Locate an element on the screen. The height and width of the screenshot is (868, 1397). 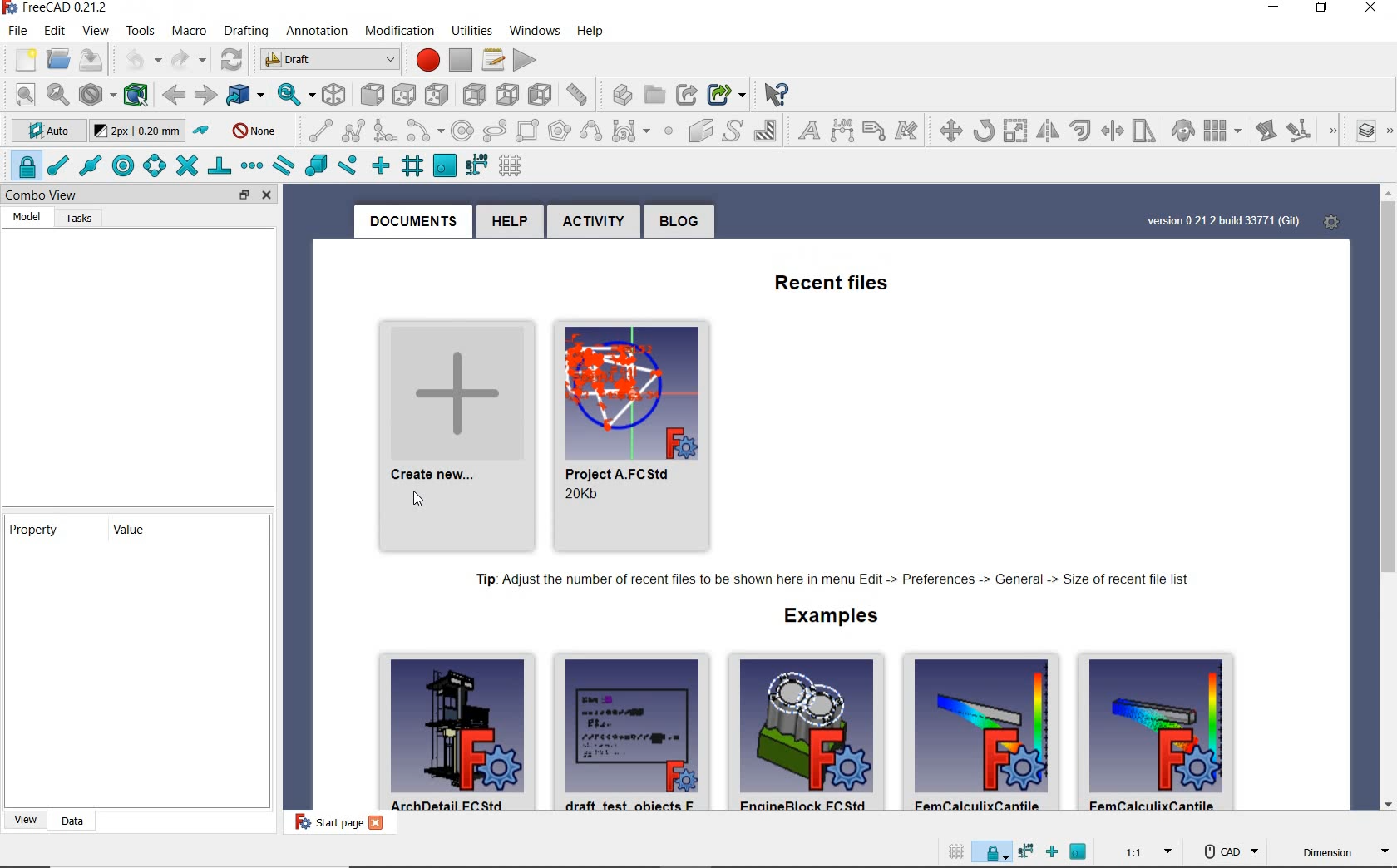
view is located at coordinates (91, 29).